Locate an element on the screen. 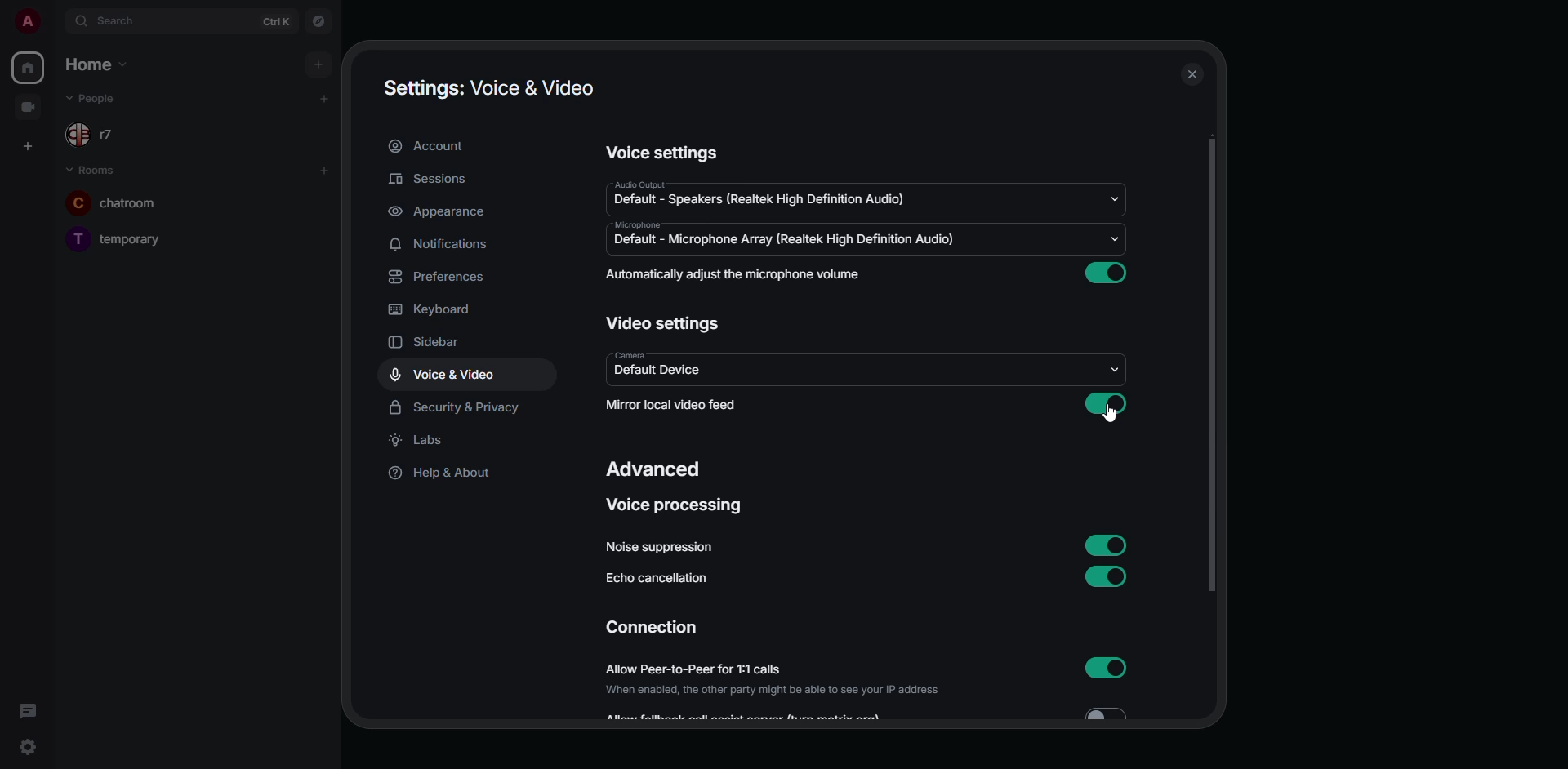 Image resolution: width=1568 pixels, height=769 pixels. people is located at coordinates (103, 98).